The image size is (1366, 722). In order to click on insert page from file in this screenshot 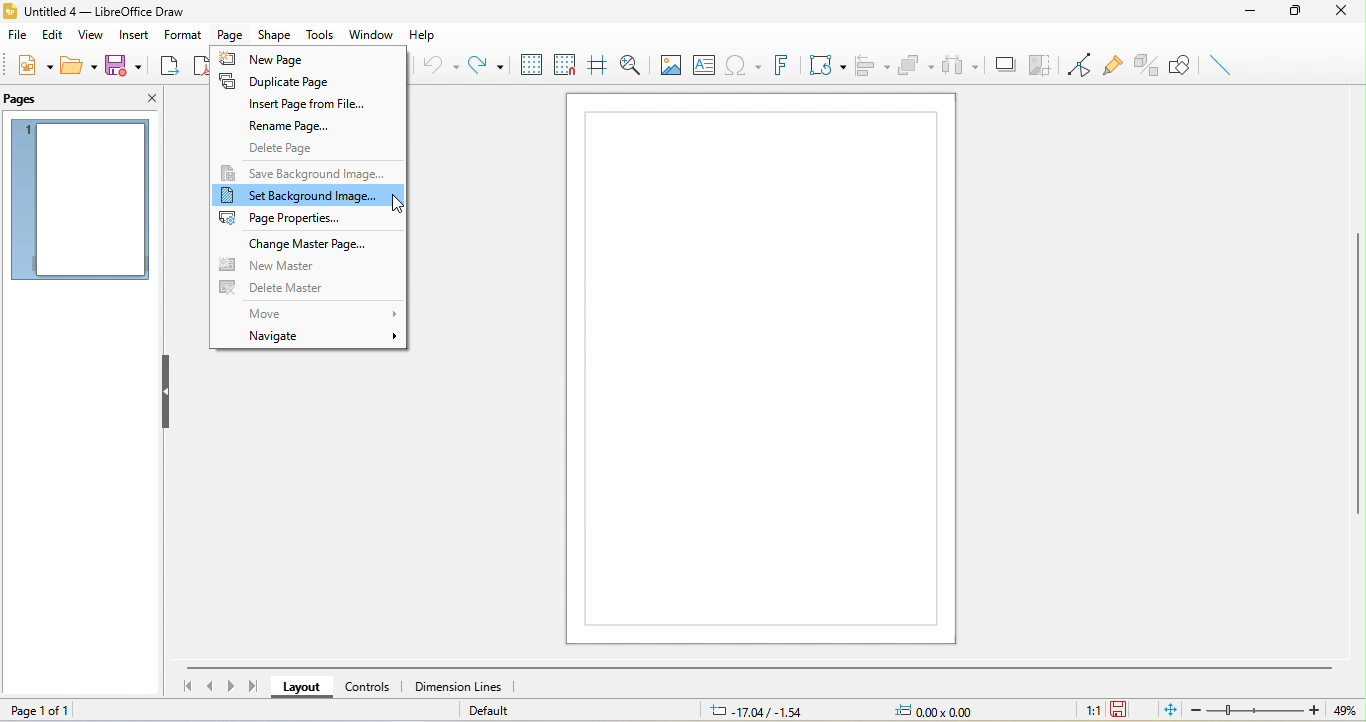, I will do `click(307, 104)`.